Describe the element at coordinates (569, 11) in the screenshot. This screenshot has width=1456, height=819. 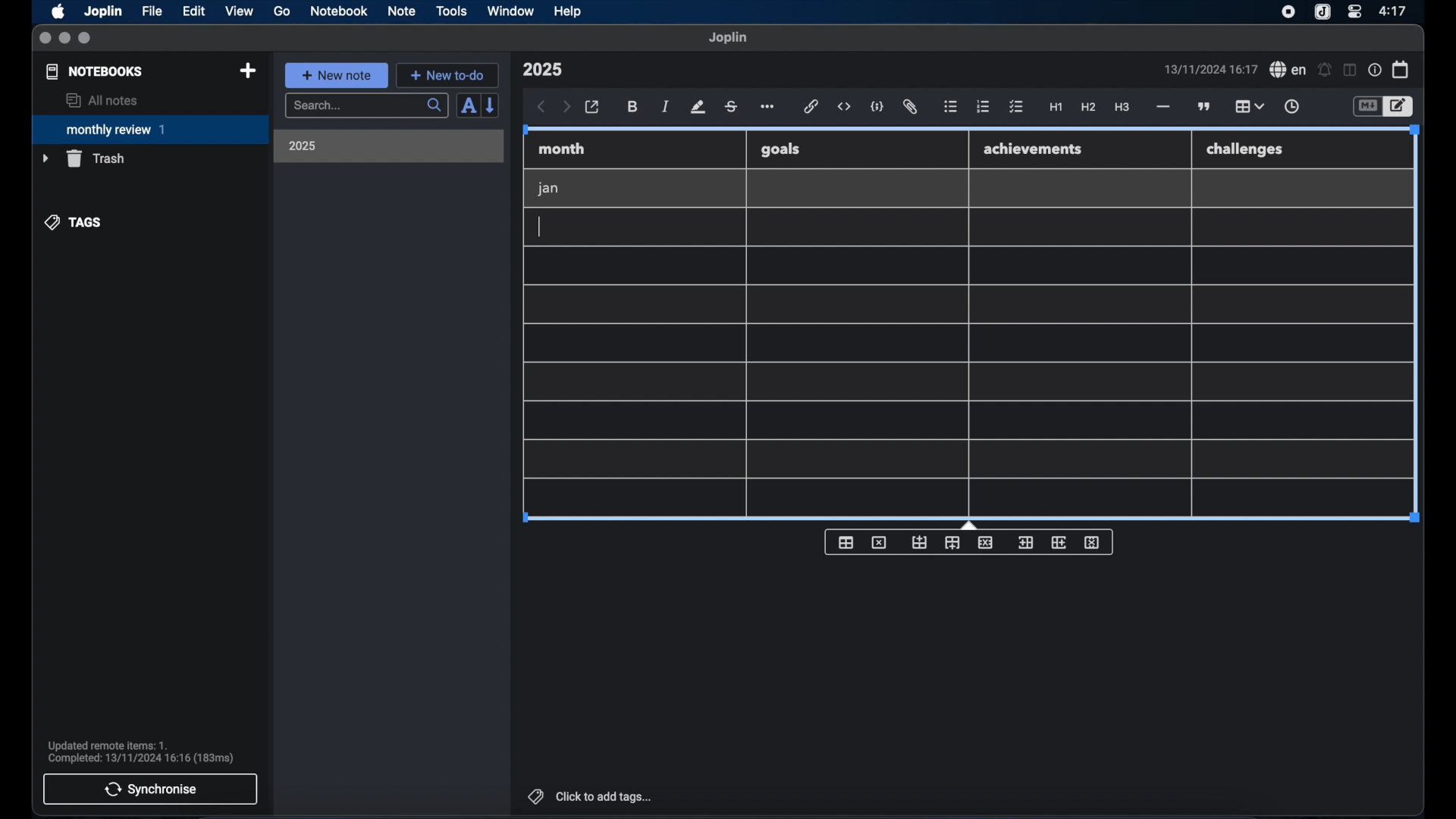
I see `help` at that location.